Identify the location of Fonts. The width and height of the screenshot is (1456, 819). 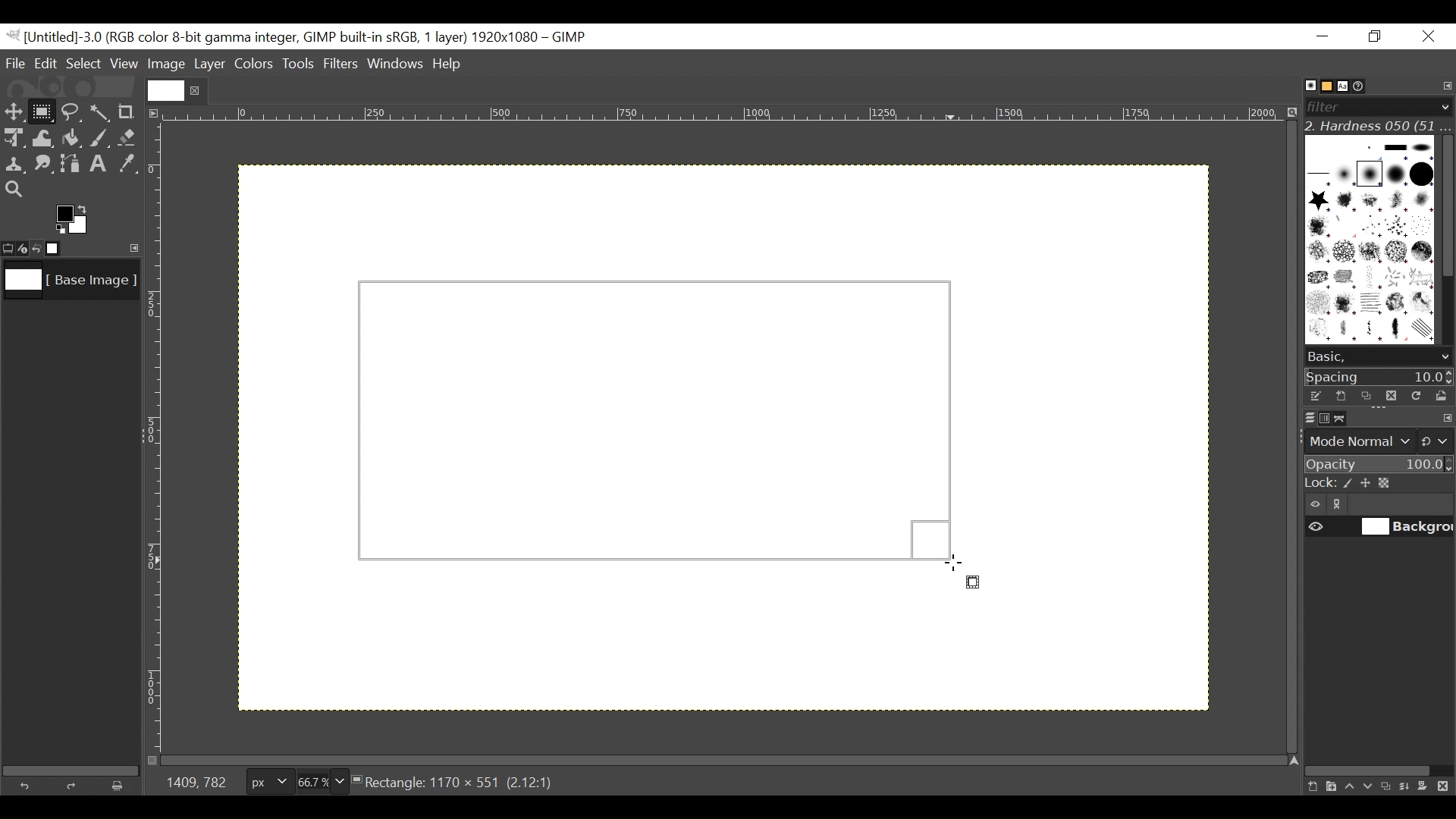
(1345, 85).